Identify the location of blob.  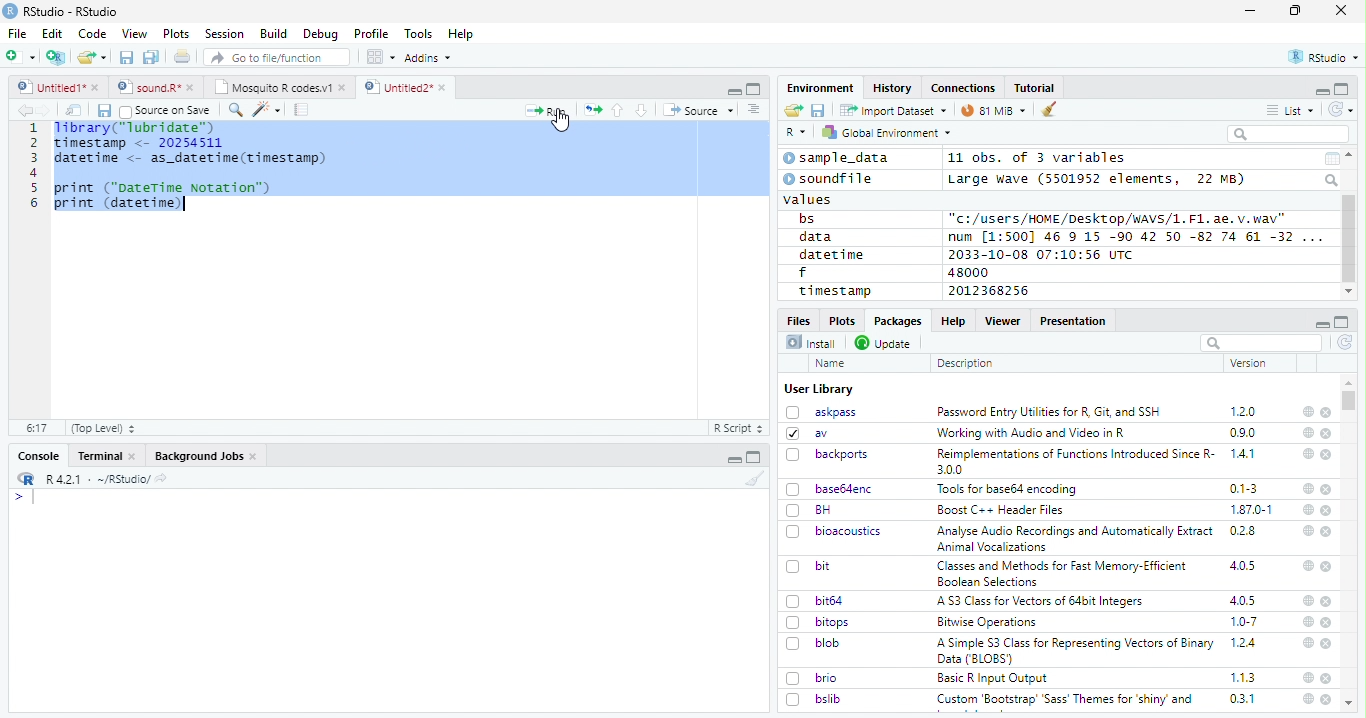
(813, 643).